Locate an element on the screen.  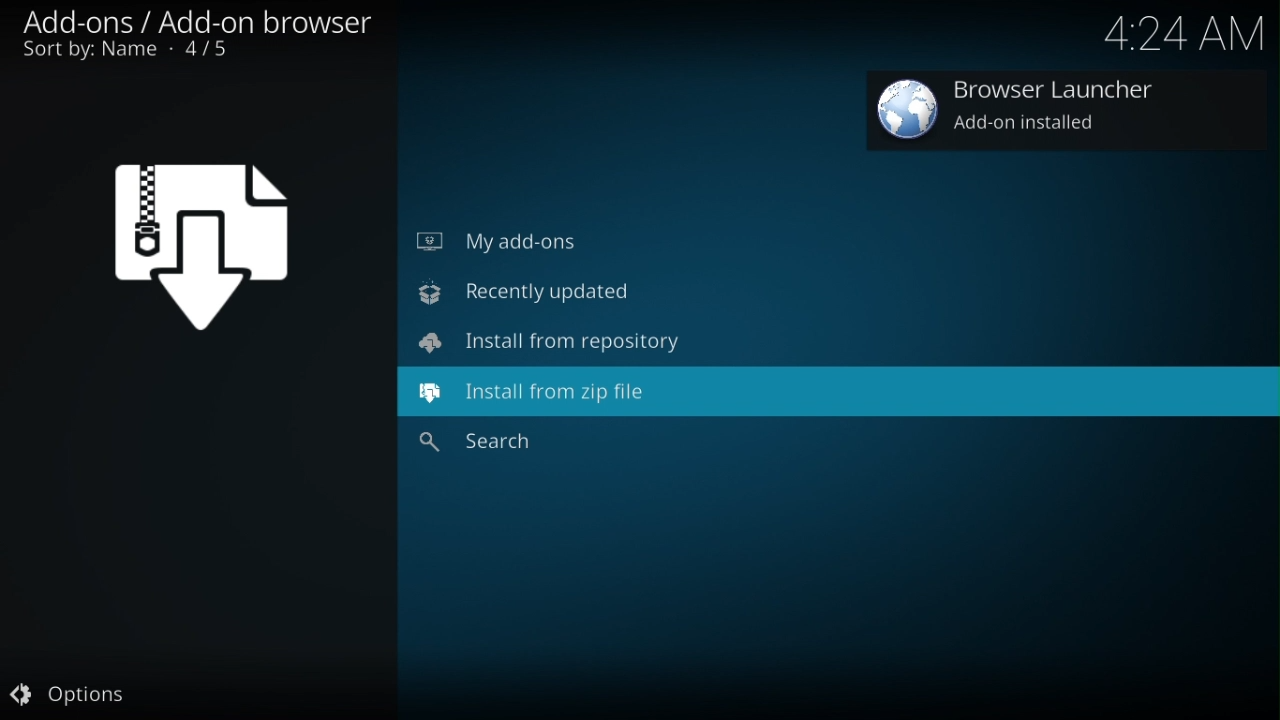
options is located at coordinates (75, 697).